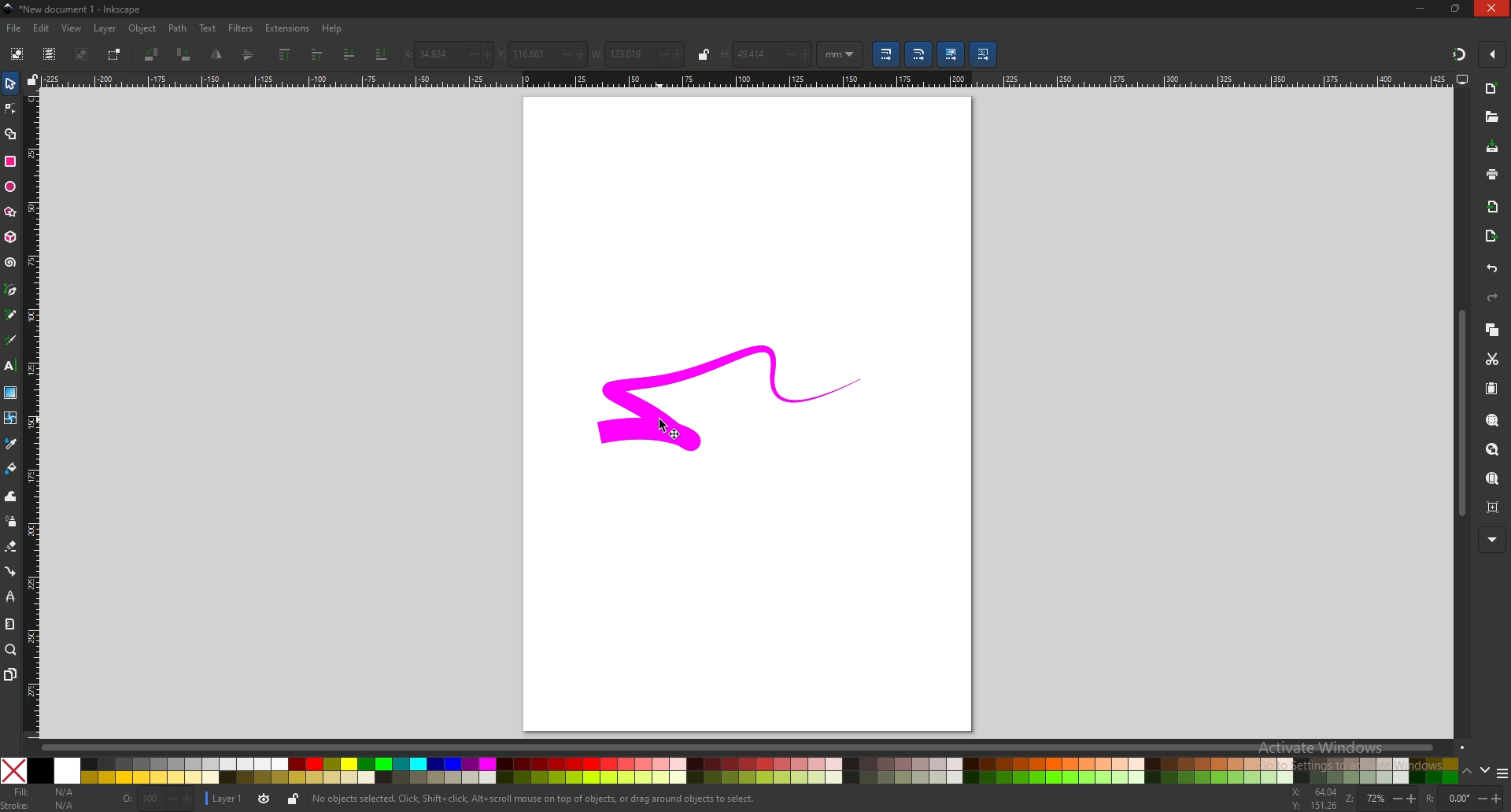 This screenshot has width=1511, height=812. What do you see at coordinates (1462, 80) in the screenshot?
I see `display views` at bounding box center [1462, 80].